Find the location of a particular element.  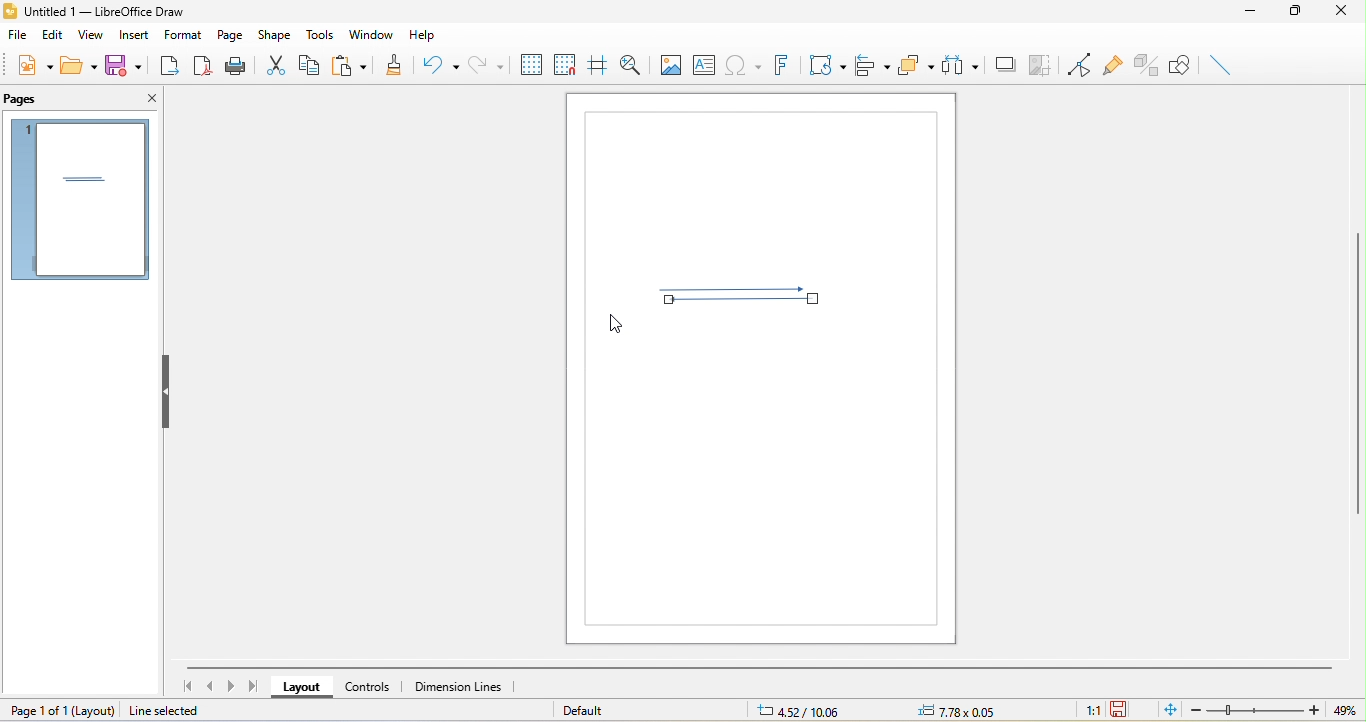

align objects is located at coordinates (874, 66).